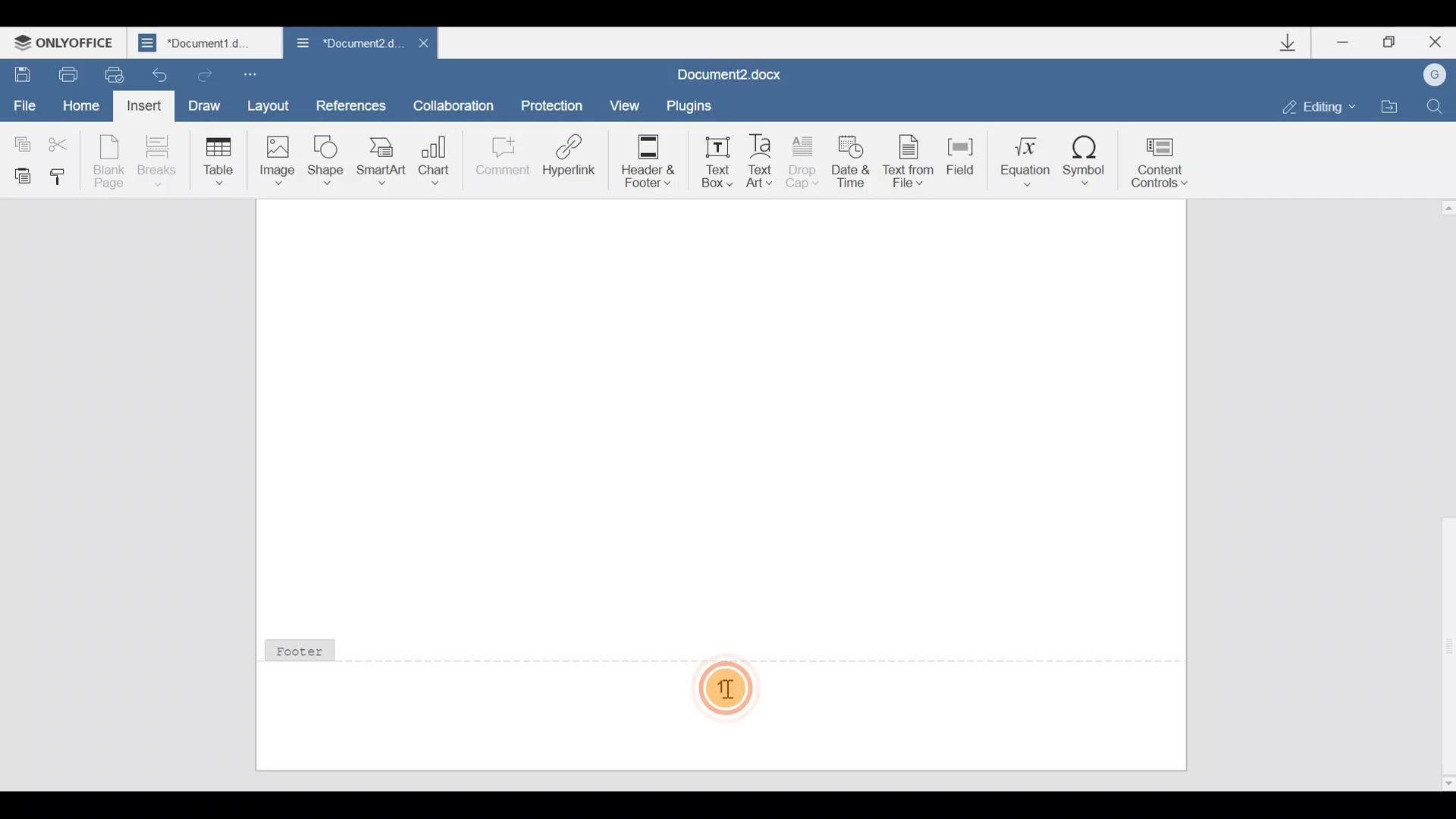 This screenshot has height=819, width=1456. Describe the element at coordinates (1090, 155) in the screenshot. I see `Symbol` at that location.